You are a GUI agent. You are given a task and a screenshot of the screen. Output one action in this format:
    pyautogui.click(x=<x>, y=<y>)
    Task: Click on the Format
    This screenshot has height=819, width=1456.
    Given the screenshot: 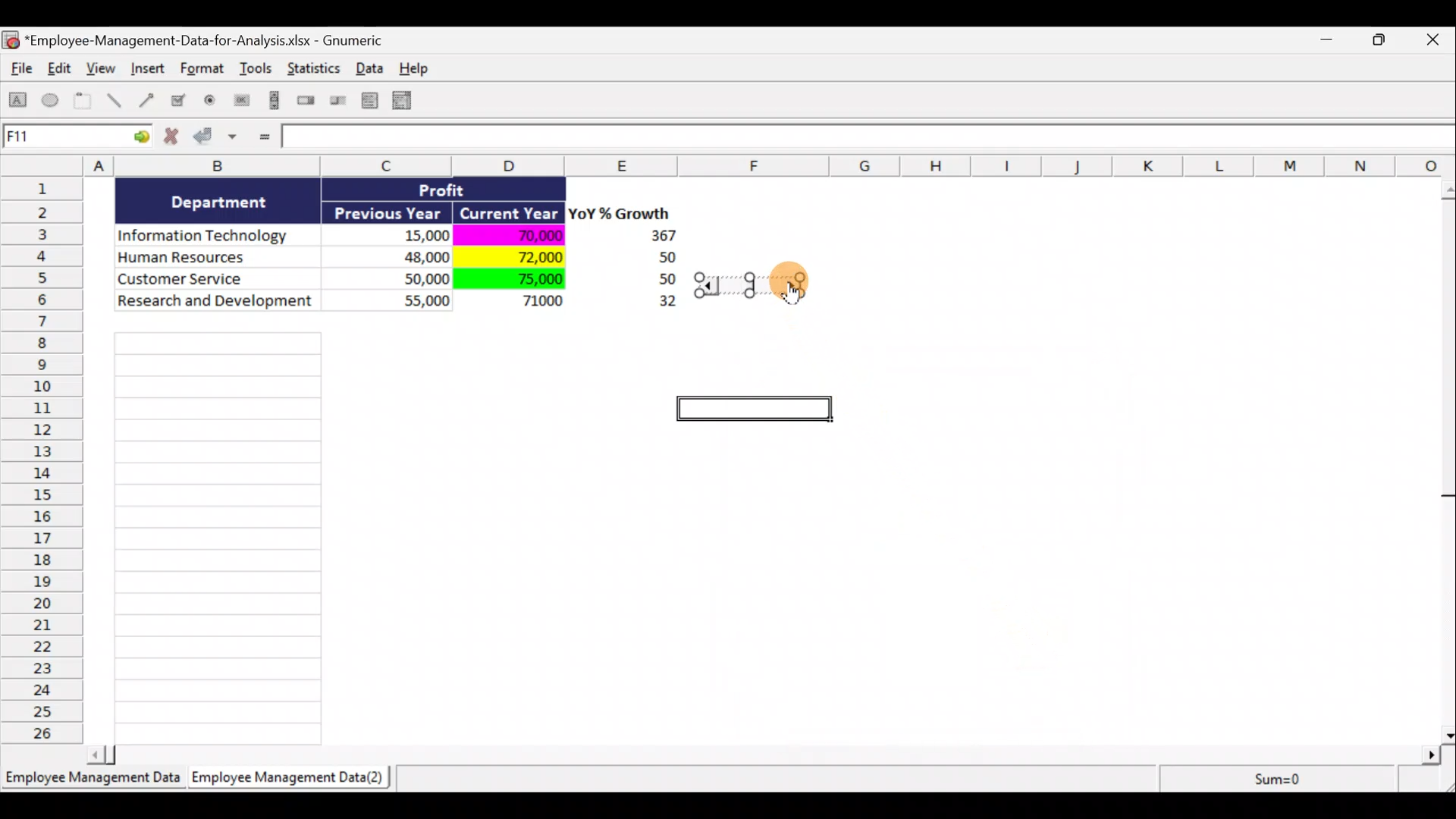 What is the action you would take?
    pyautogui.click(x=204, y=71)
    